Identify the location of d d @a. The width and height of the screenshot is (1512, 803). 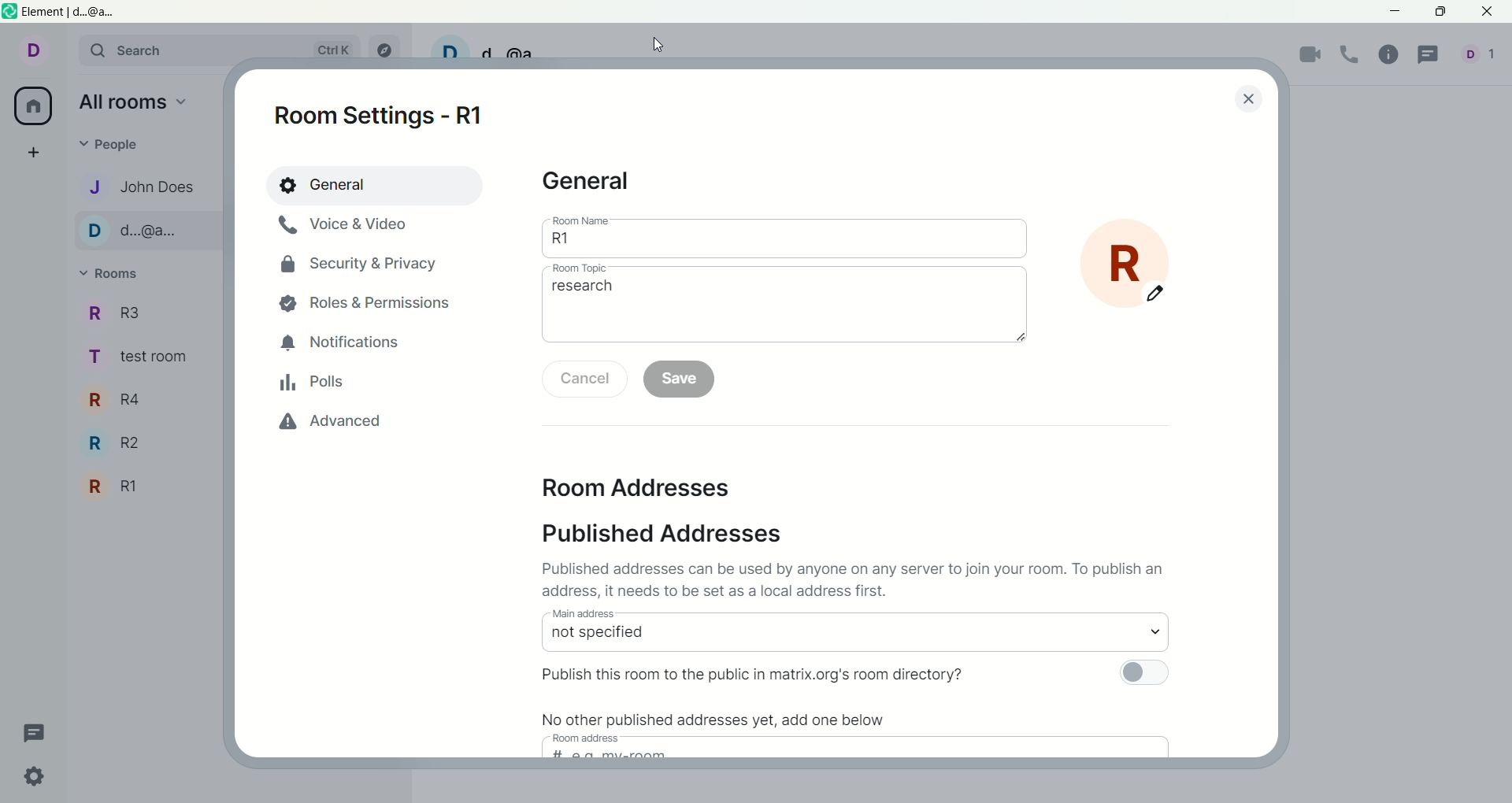
(493, 46).